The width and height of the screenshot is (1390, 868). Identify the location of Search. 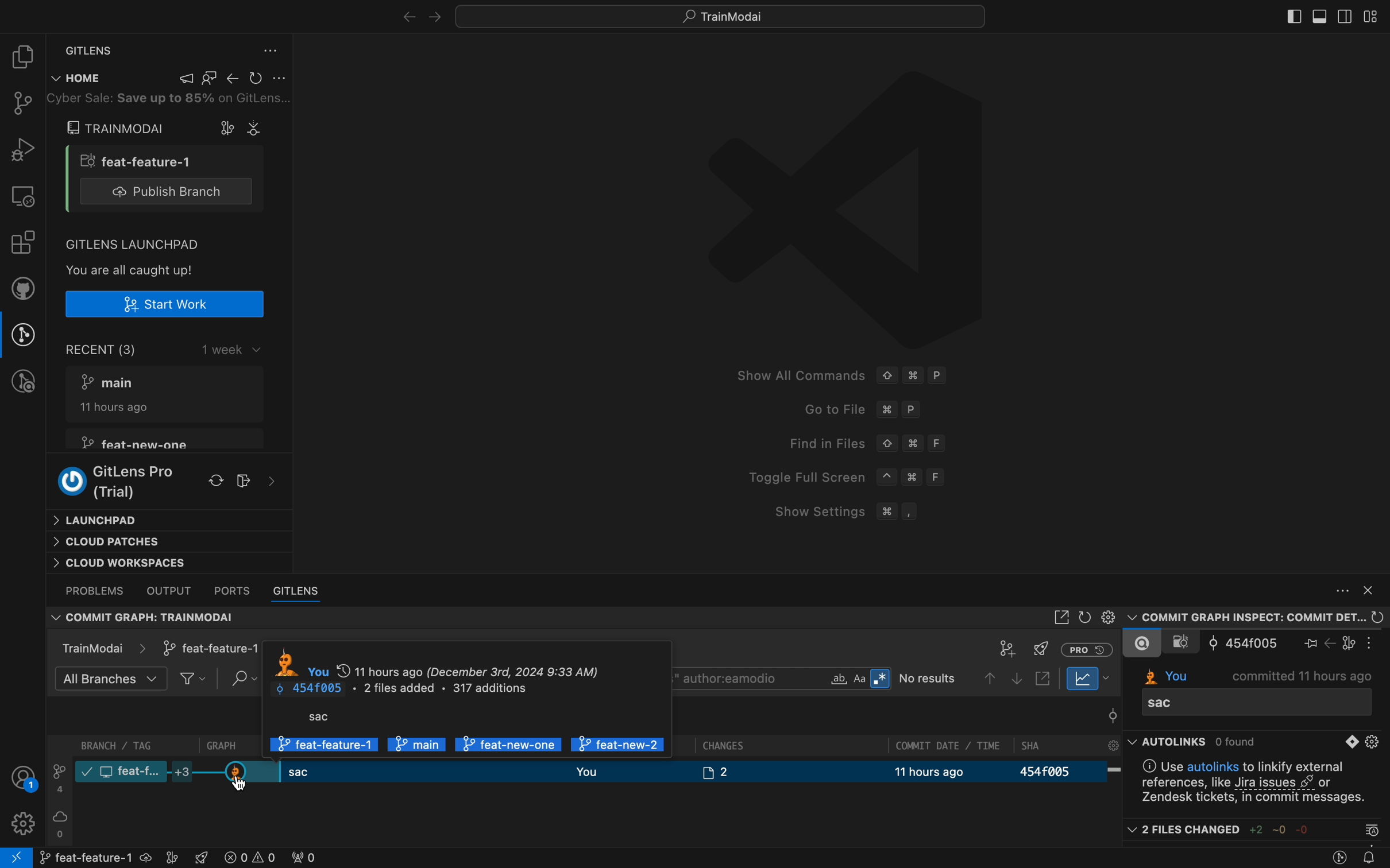
(242, 679).